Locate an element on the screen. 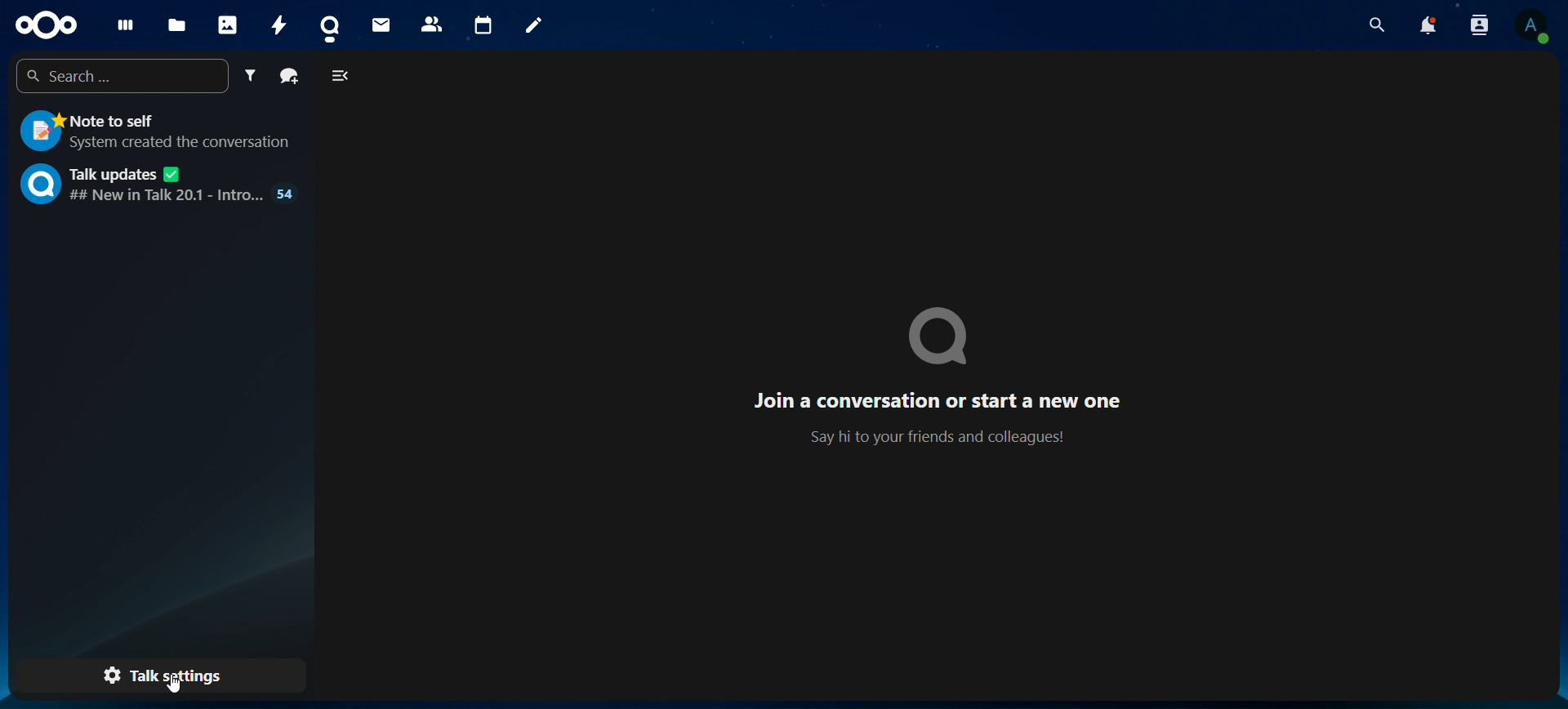  search contact is located at coordinates (1480, 25).